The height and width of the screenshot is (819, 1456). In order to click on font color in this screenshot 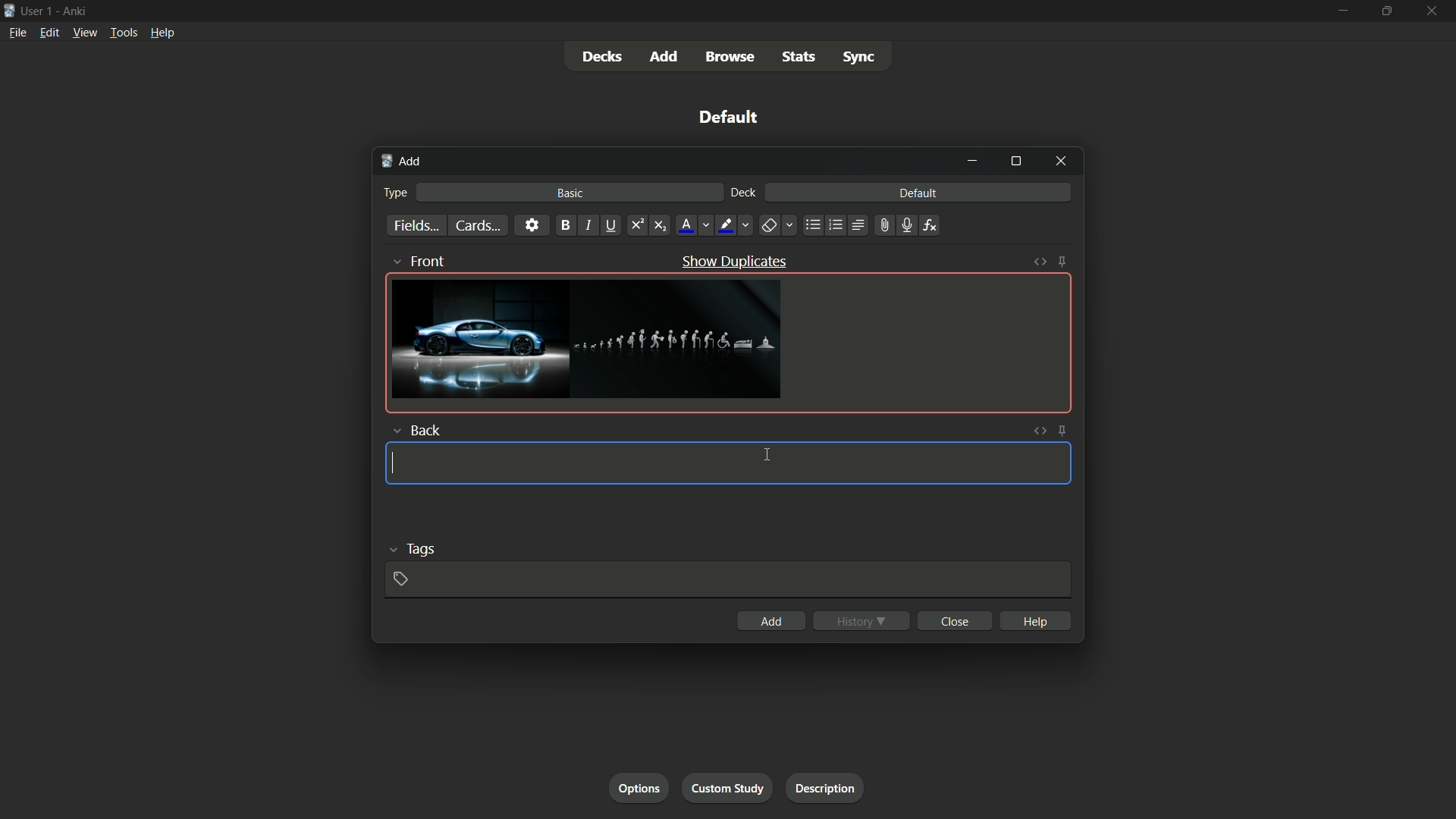, I will do `click(694, 224)`.